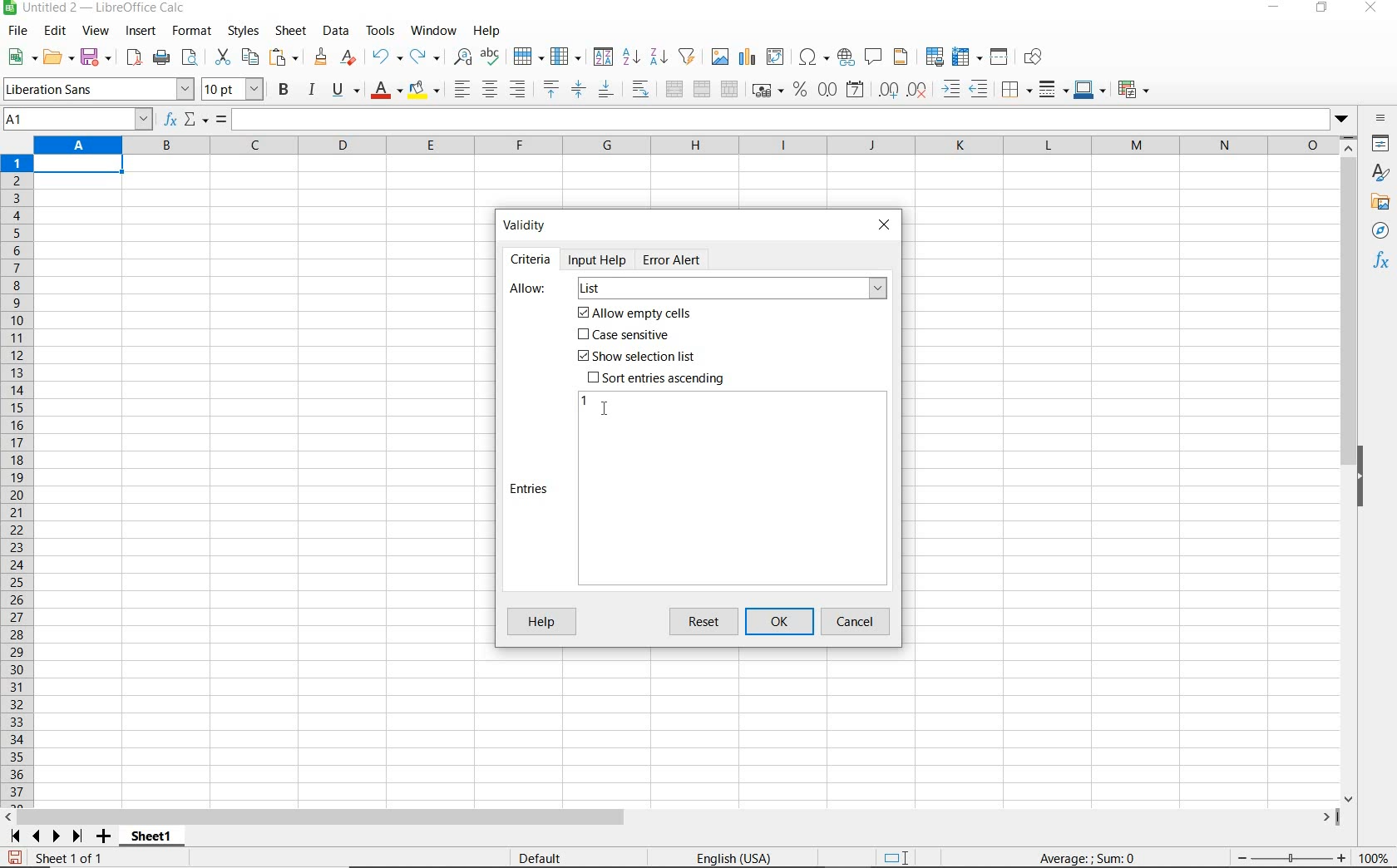 The width and height of the screenshot is (1397, 868). What do you see at coordinates (777, 57) in the screenshot?
I see `insert or edit pivot table` at bounding box center [777, 57].